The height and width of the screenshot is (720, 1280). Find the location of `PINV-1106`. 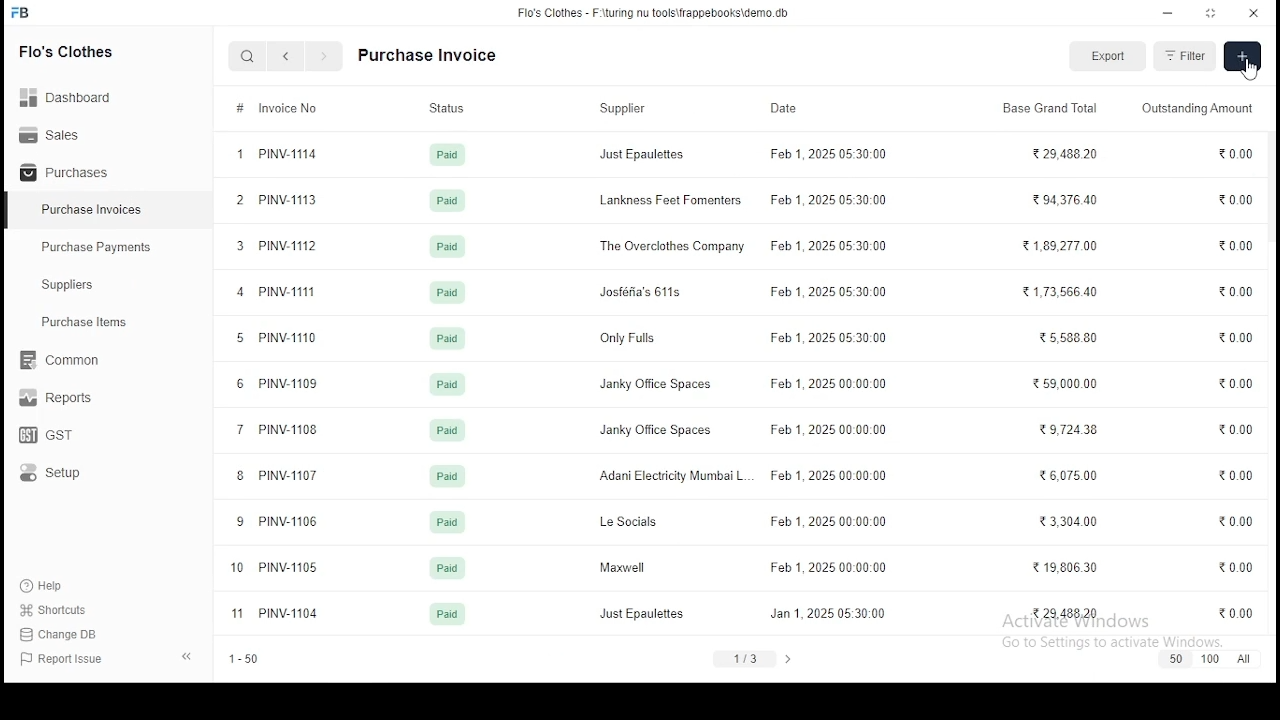

PINV-1106 is located at coordinates (290, 522).